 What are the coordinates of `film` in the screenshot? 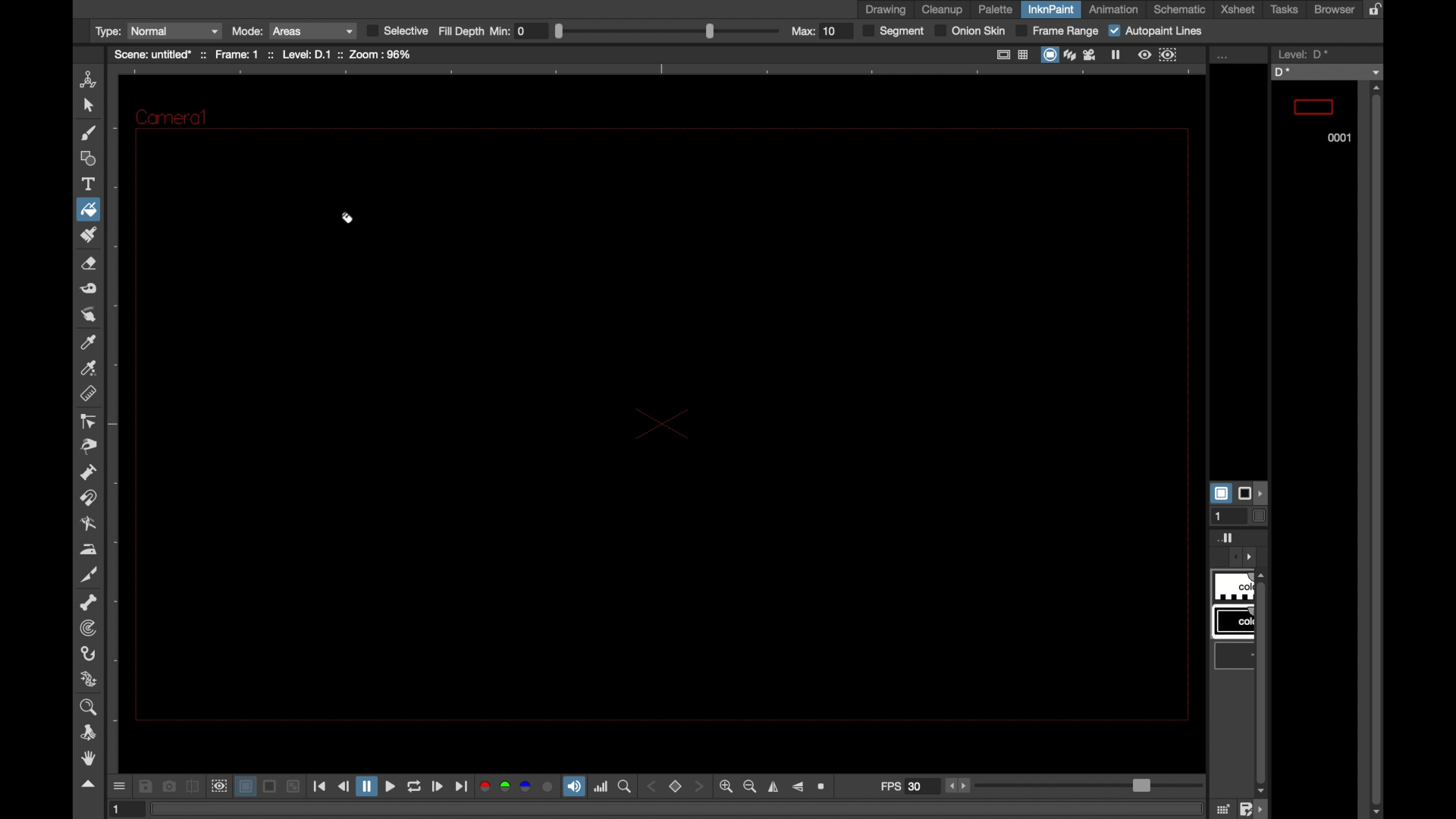 It's located at (1093, 55).